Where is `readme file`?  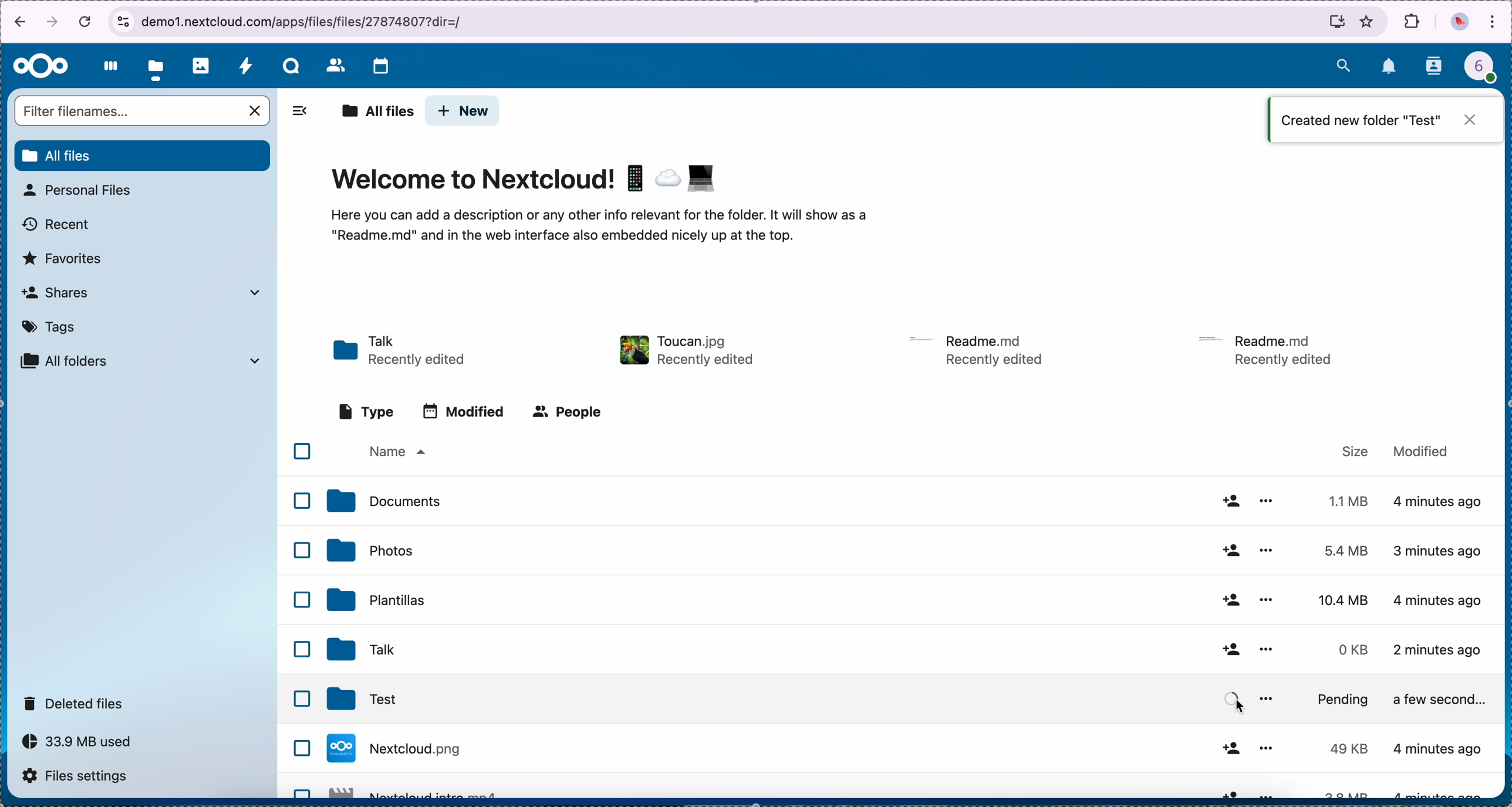
readme file is located at coordinates (979, 349).